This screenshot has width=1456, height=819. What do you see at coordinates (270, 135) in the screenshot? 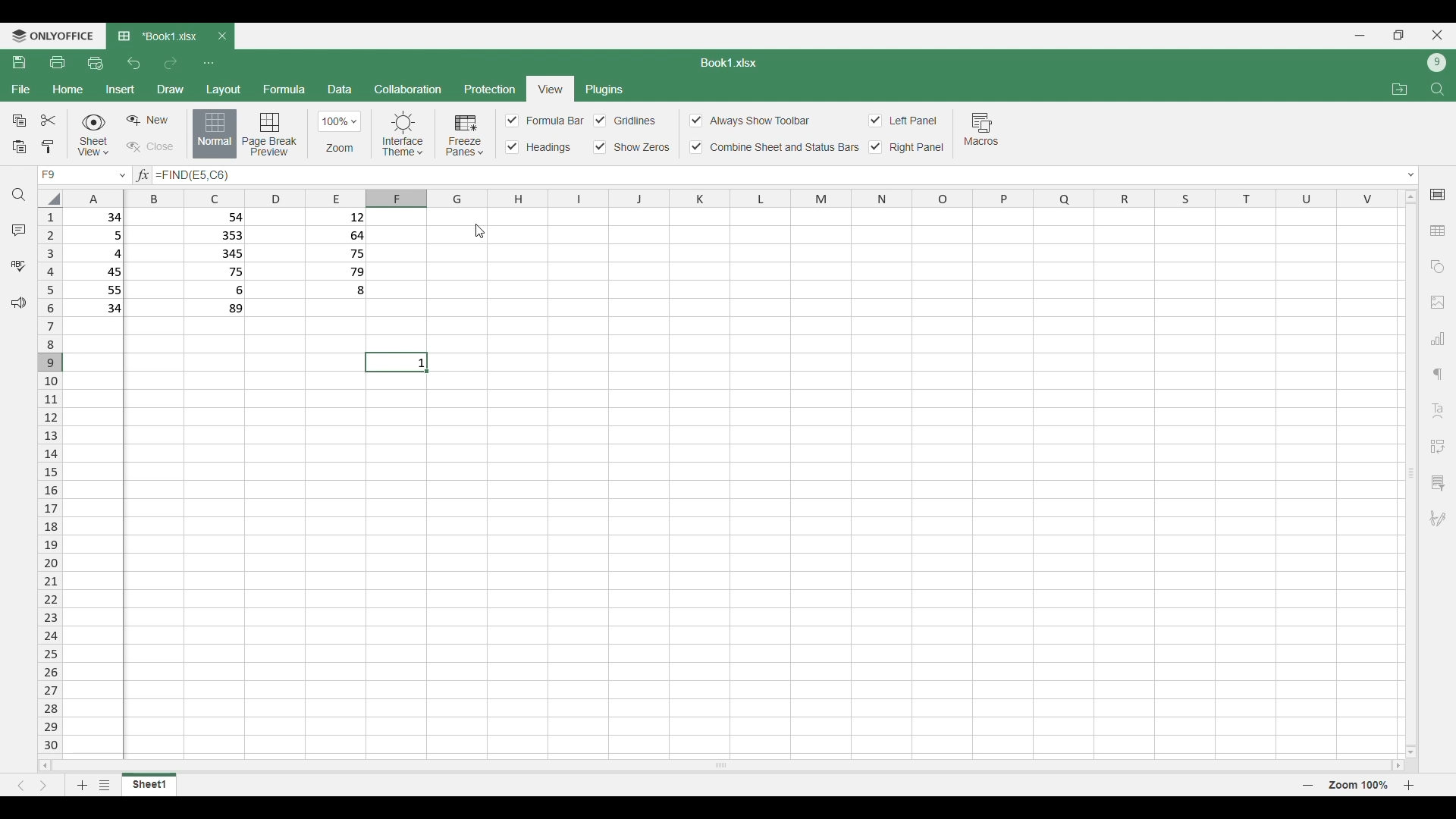
I see `Page break preview` at bounding box center [270, 135].